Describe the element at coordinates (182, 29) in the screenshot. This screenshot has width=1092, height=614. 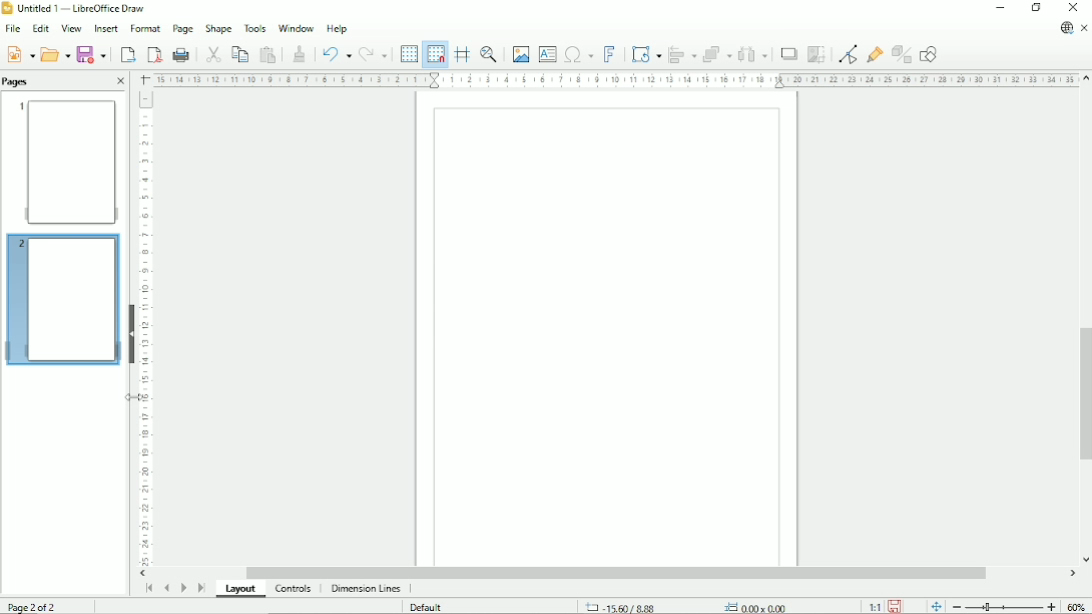
I see `Page` at that location.